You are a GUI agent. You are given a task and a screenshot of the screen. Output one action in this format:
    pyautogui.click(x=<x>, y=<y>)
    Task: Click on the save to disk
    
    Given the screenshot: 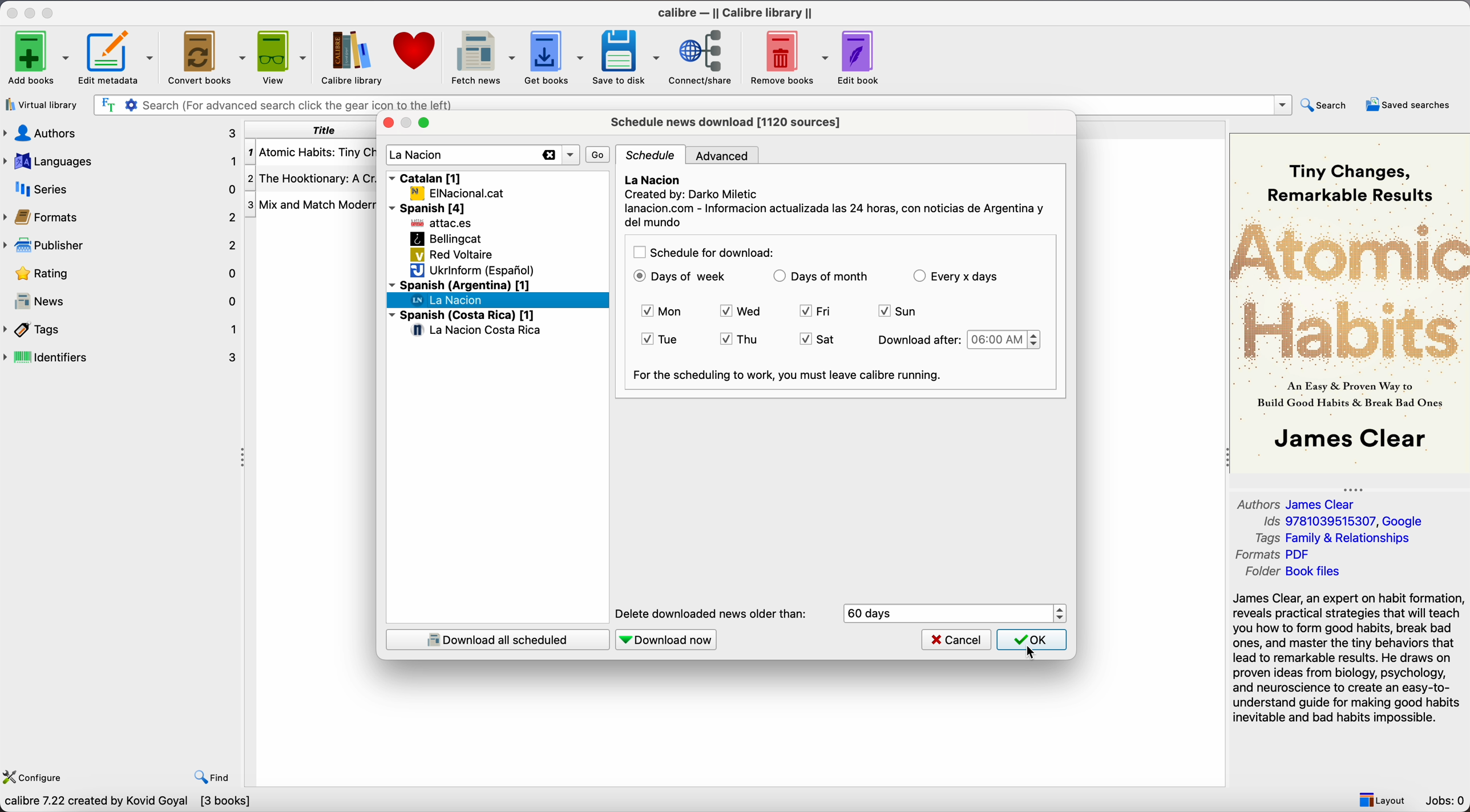 What is the action you would take?
    pyautogui.click(x=627, y=57)
    